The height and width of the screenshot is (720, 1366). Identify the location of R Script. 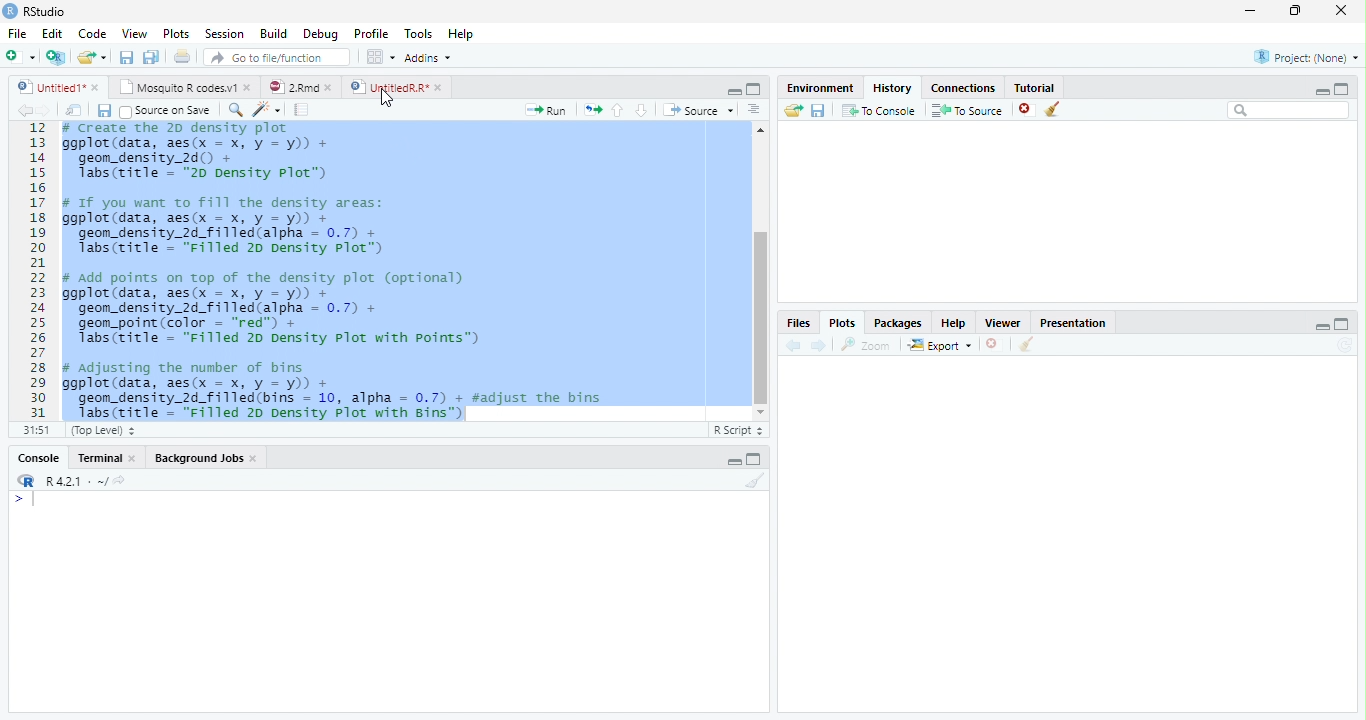
(739, 431).